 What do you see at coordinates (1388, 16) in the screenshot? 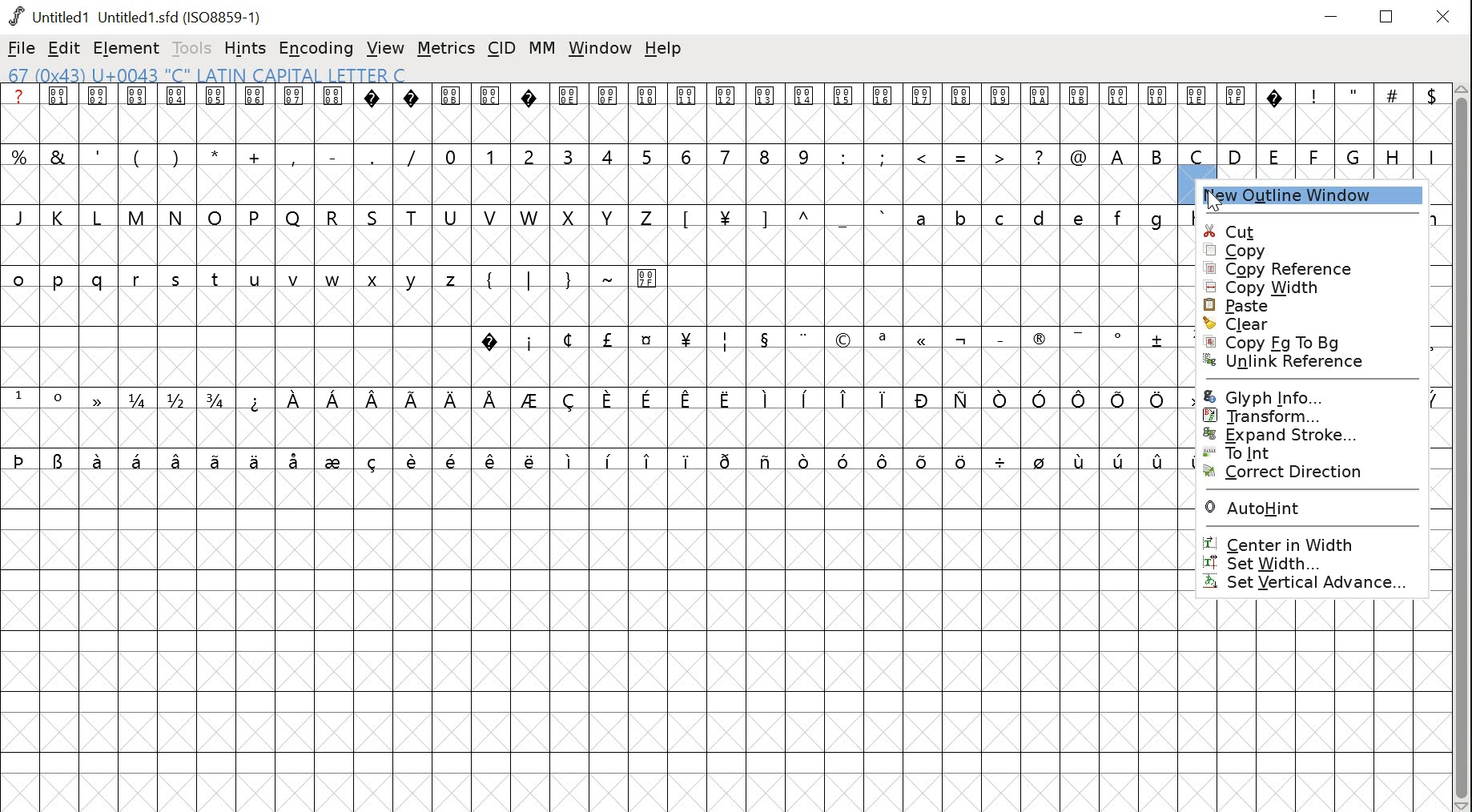
I see `restore down` at bounding box center [1388, 16].